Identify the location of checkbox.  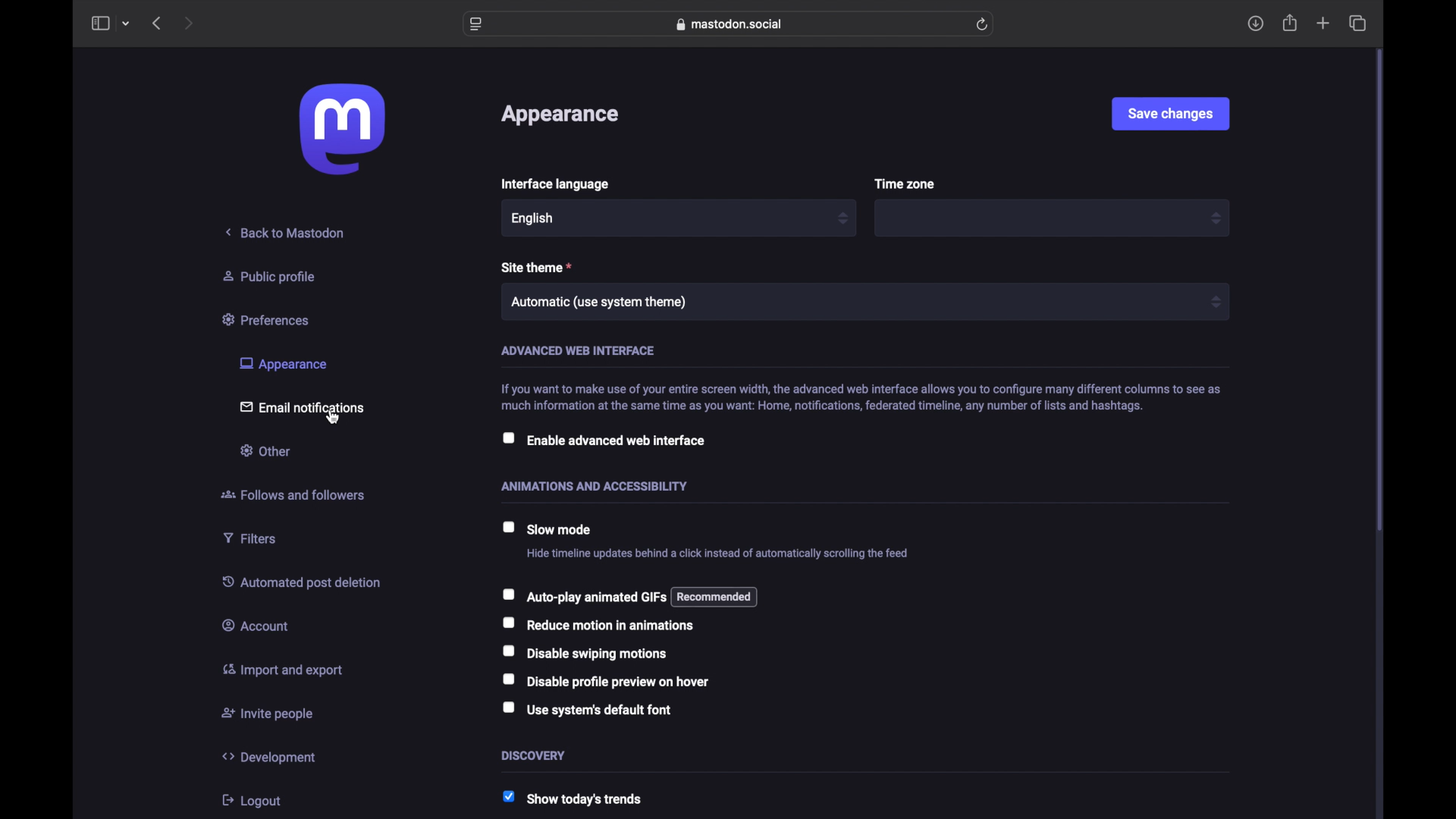
(606, 681).